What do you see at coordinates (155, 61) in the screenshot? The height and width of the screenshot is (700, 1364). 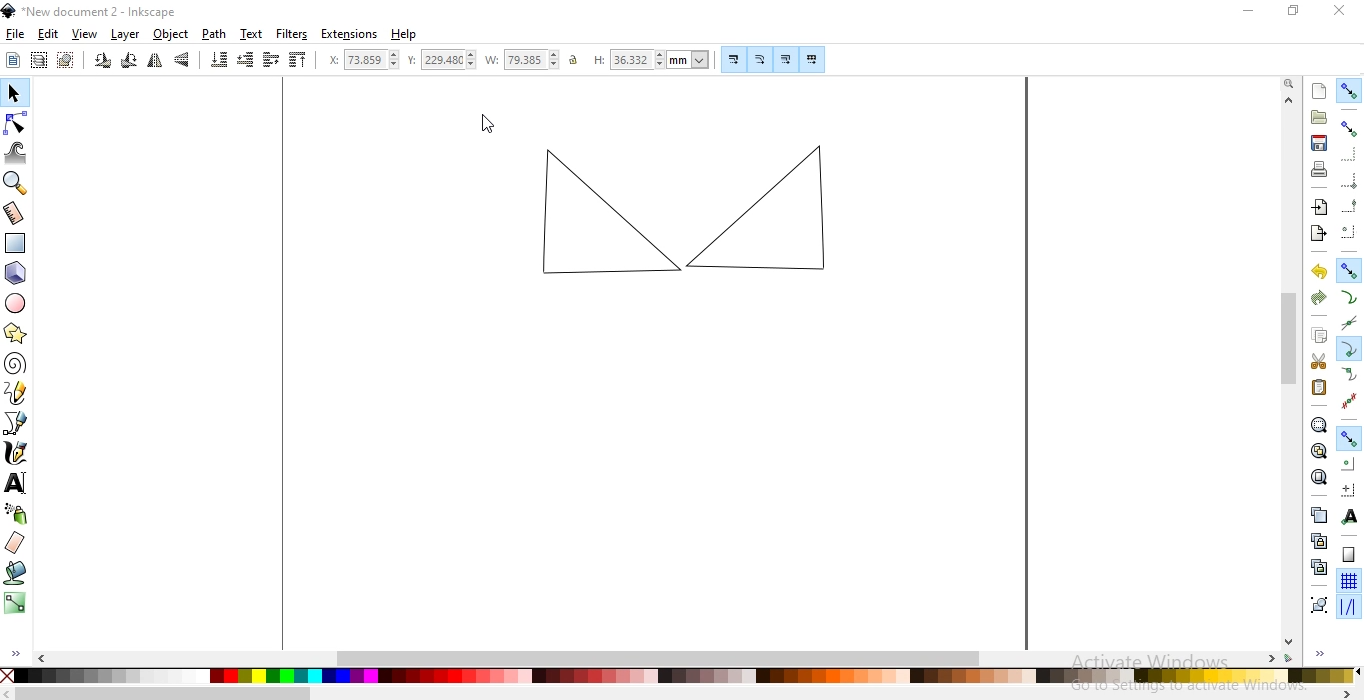 I see `flip horizontally` at bounding box center [155, 61].